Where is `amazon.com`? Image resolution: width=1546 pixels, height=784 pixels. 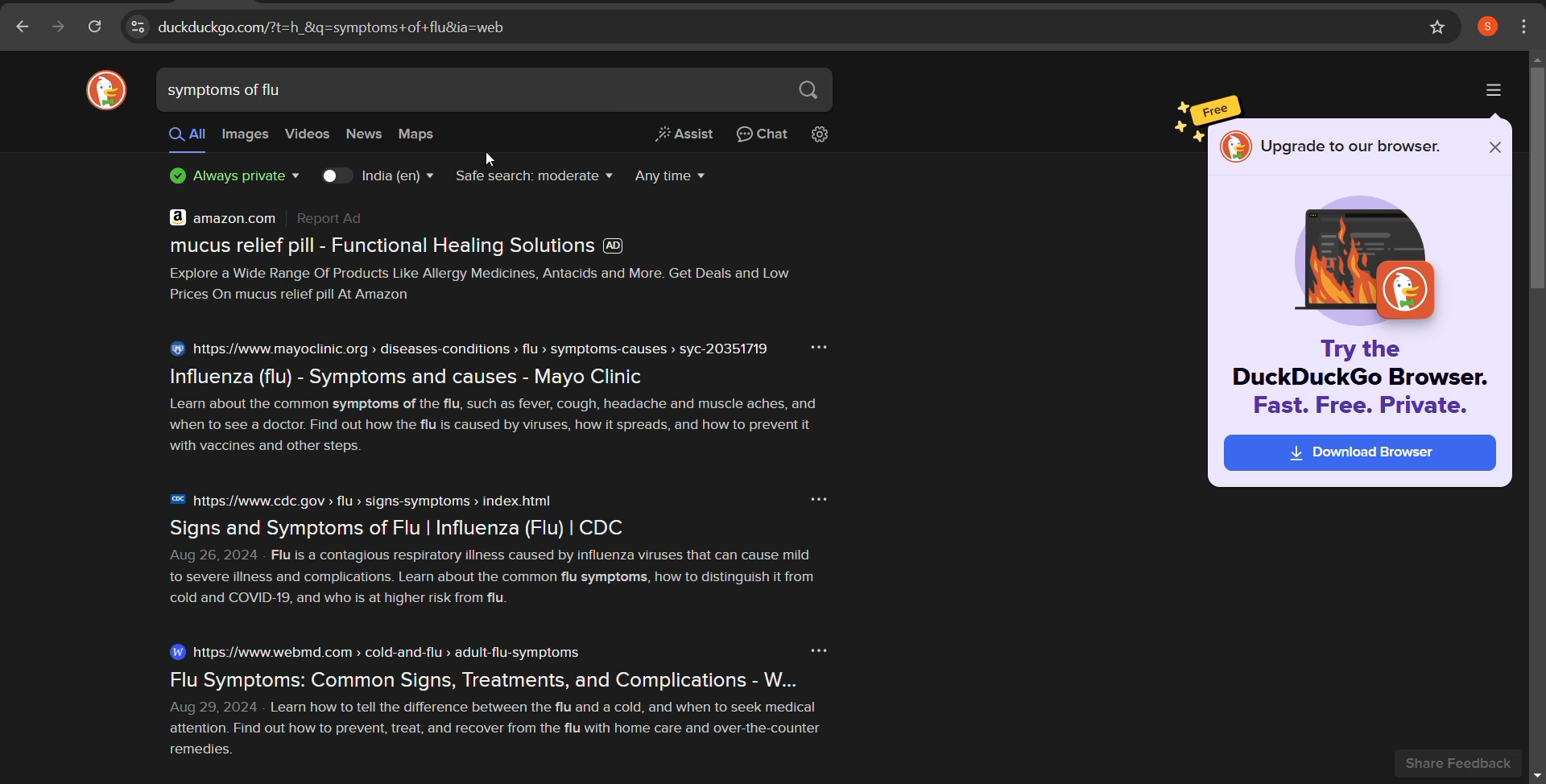 amazon.com is located at coordinates (285, 218).